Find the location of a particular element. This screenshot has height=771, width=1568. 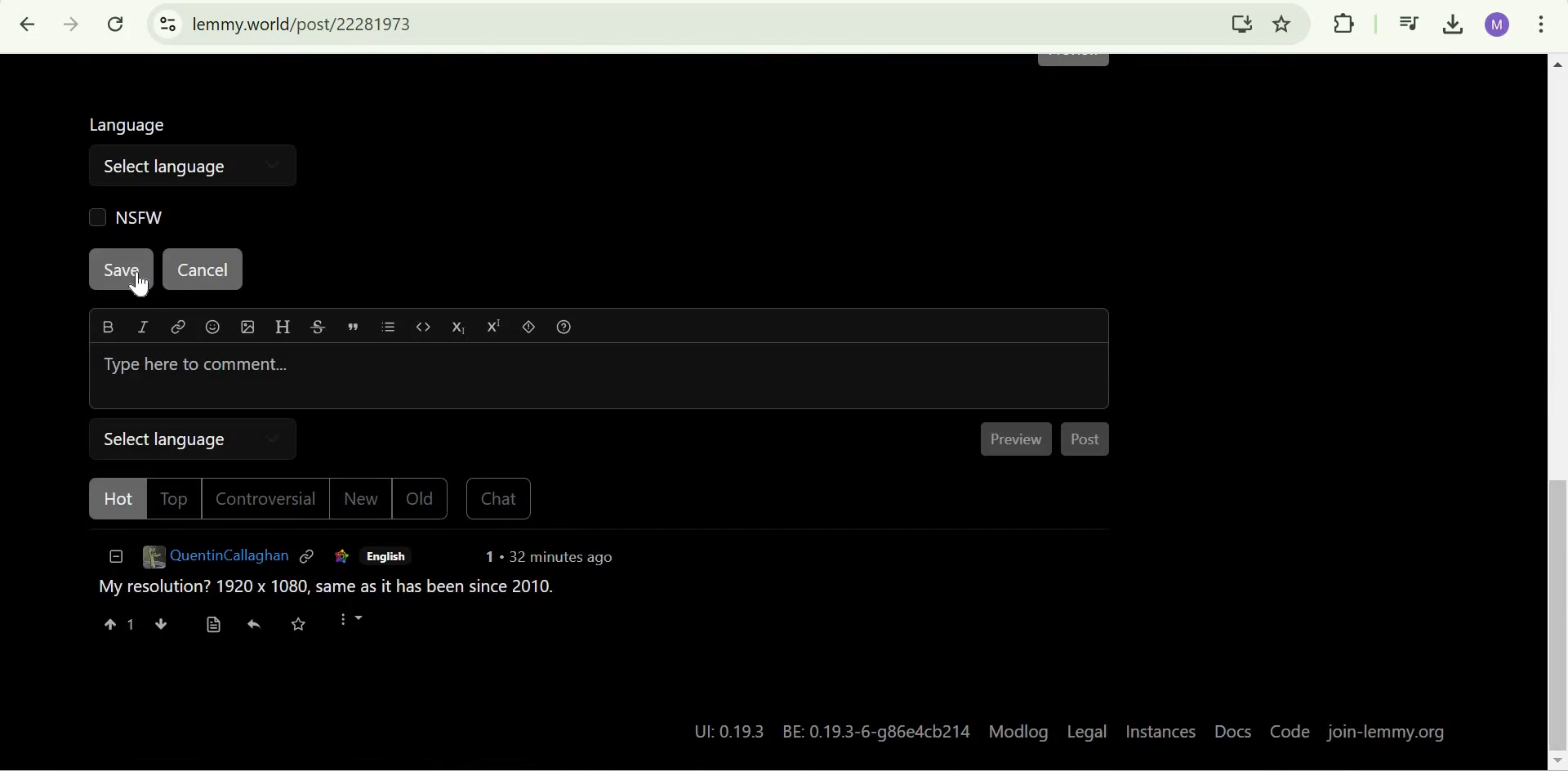

upload image is located at coordinates (246, 328).